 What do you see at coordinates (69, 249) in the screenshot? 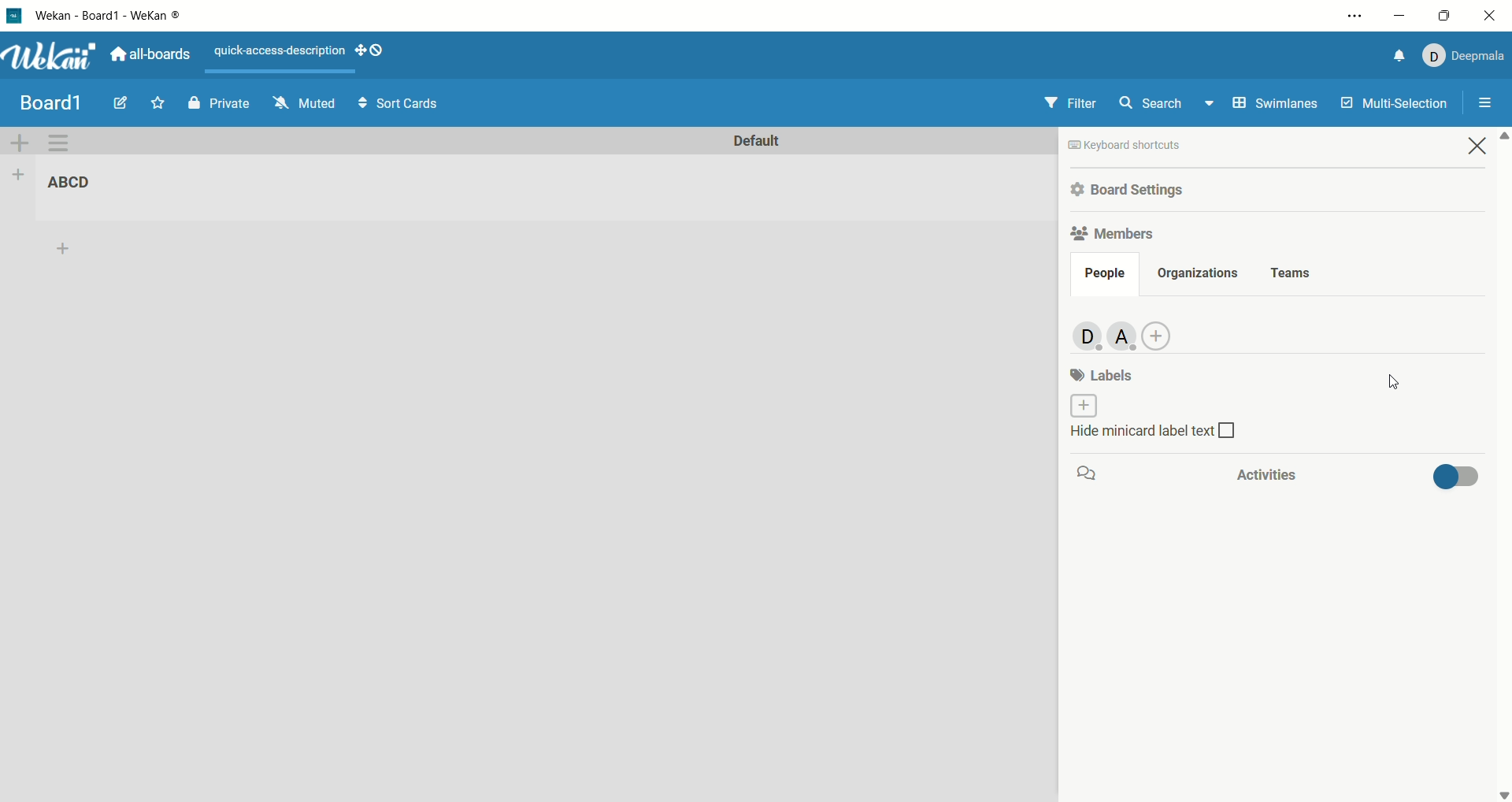
I see `add` at bounding box center [69, 249].